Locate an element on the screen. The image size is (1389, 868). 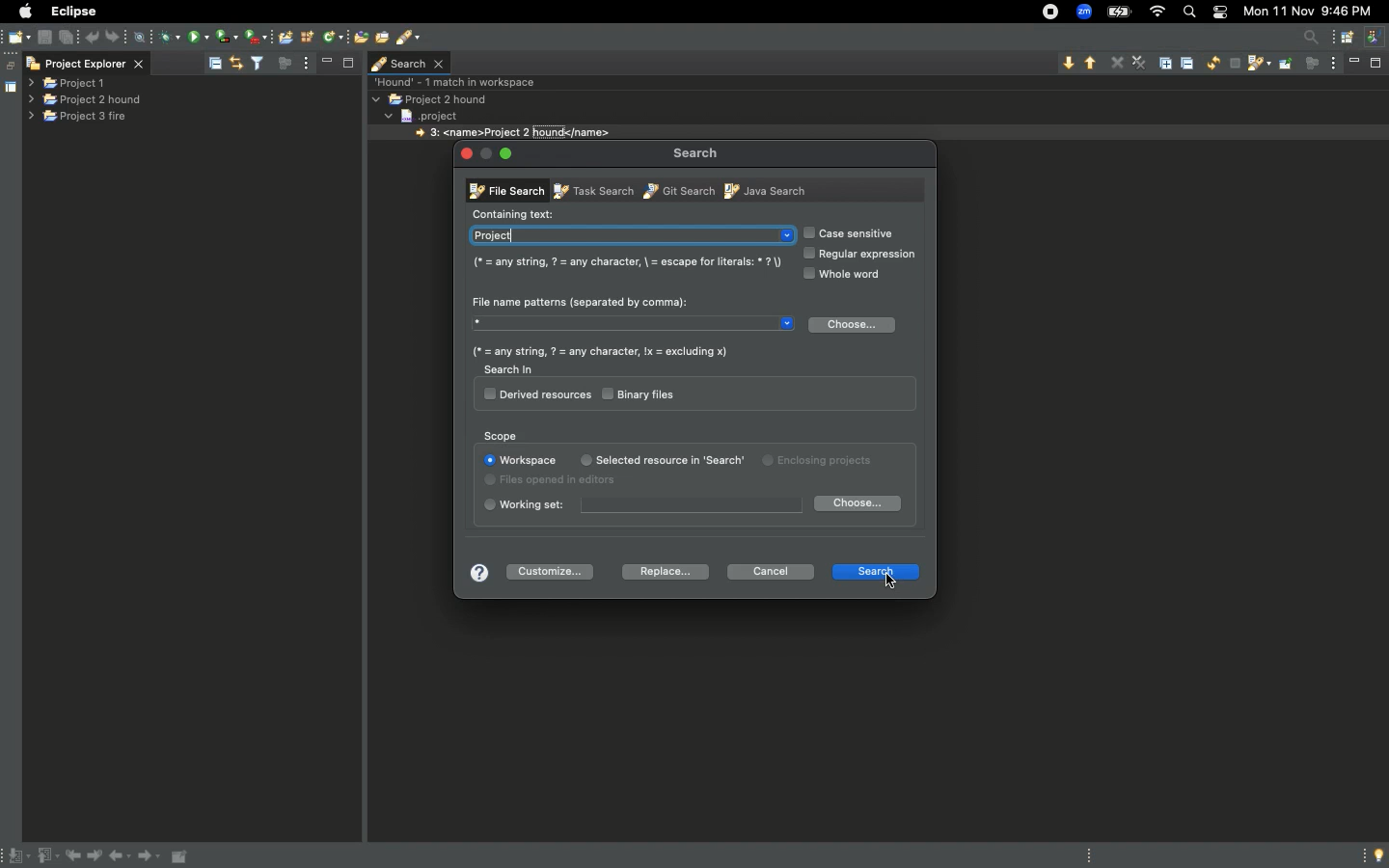
Expand all is located at coordinates (1169, 62).